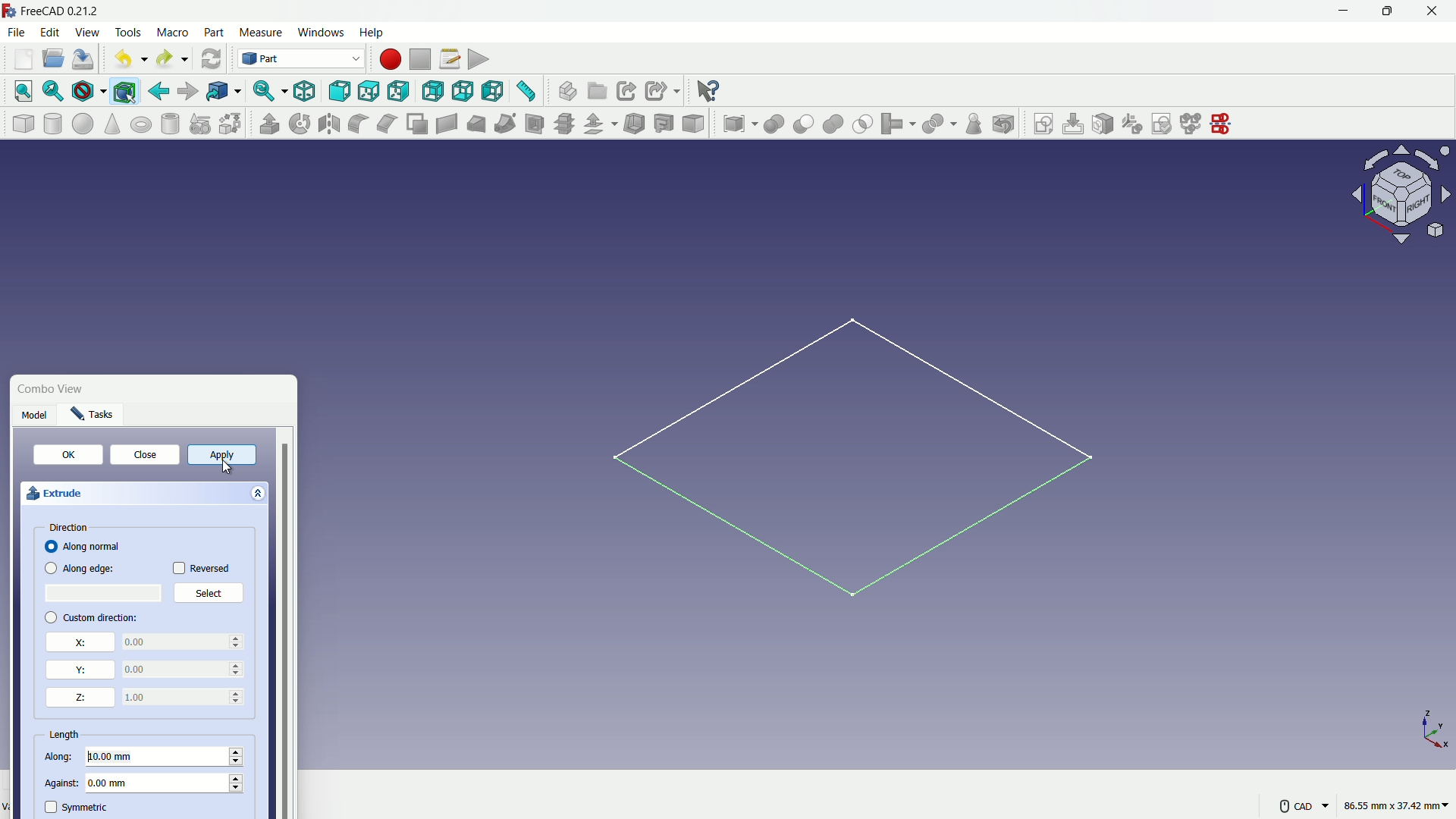 The image size is (1456, 819). I want to click on boolean, so click(775, 124).